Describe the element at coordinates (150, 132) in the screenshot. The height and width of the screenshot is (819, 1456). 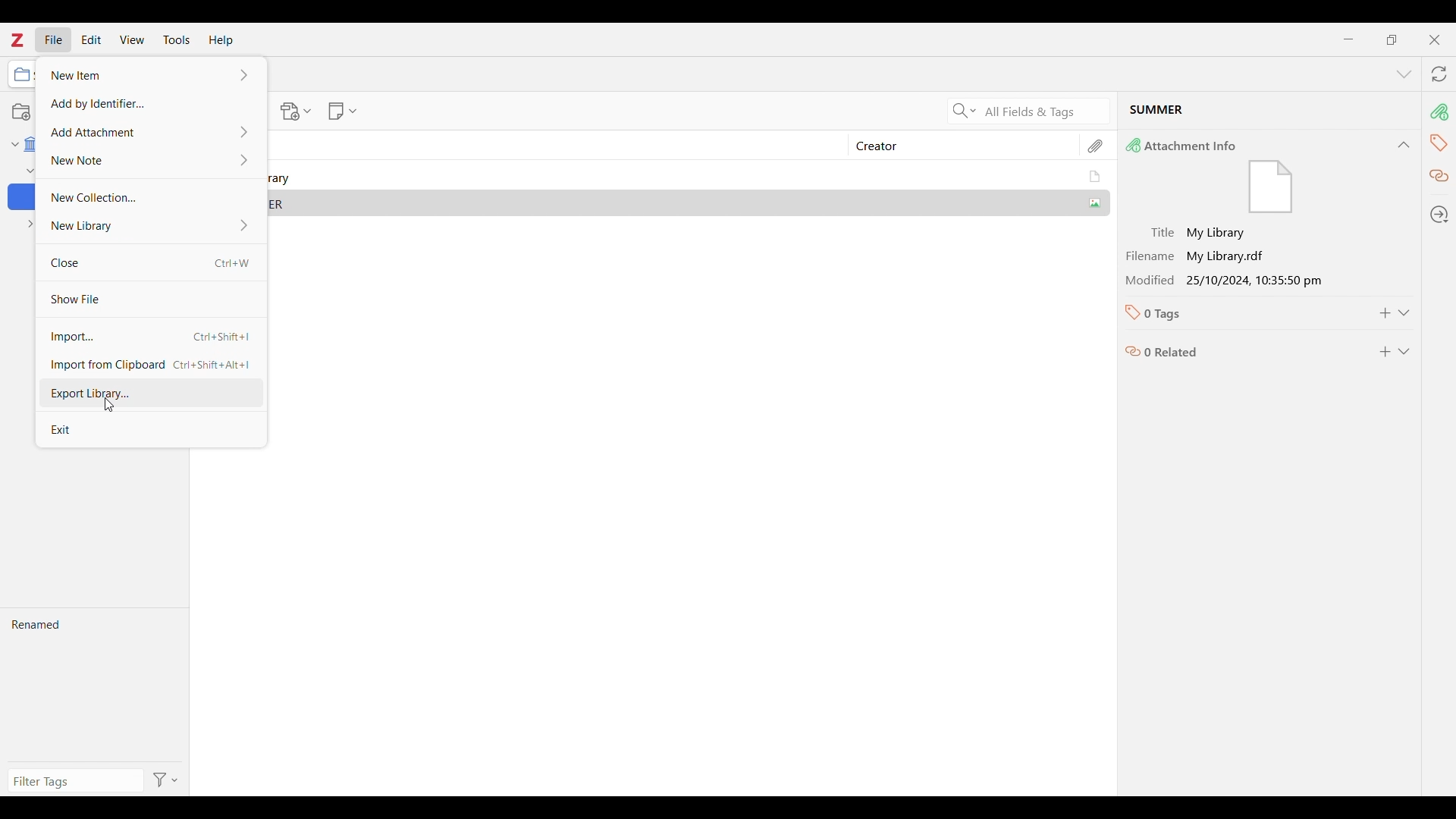
I see `Add attachment ` at that location.